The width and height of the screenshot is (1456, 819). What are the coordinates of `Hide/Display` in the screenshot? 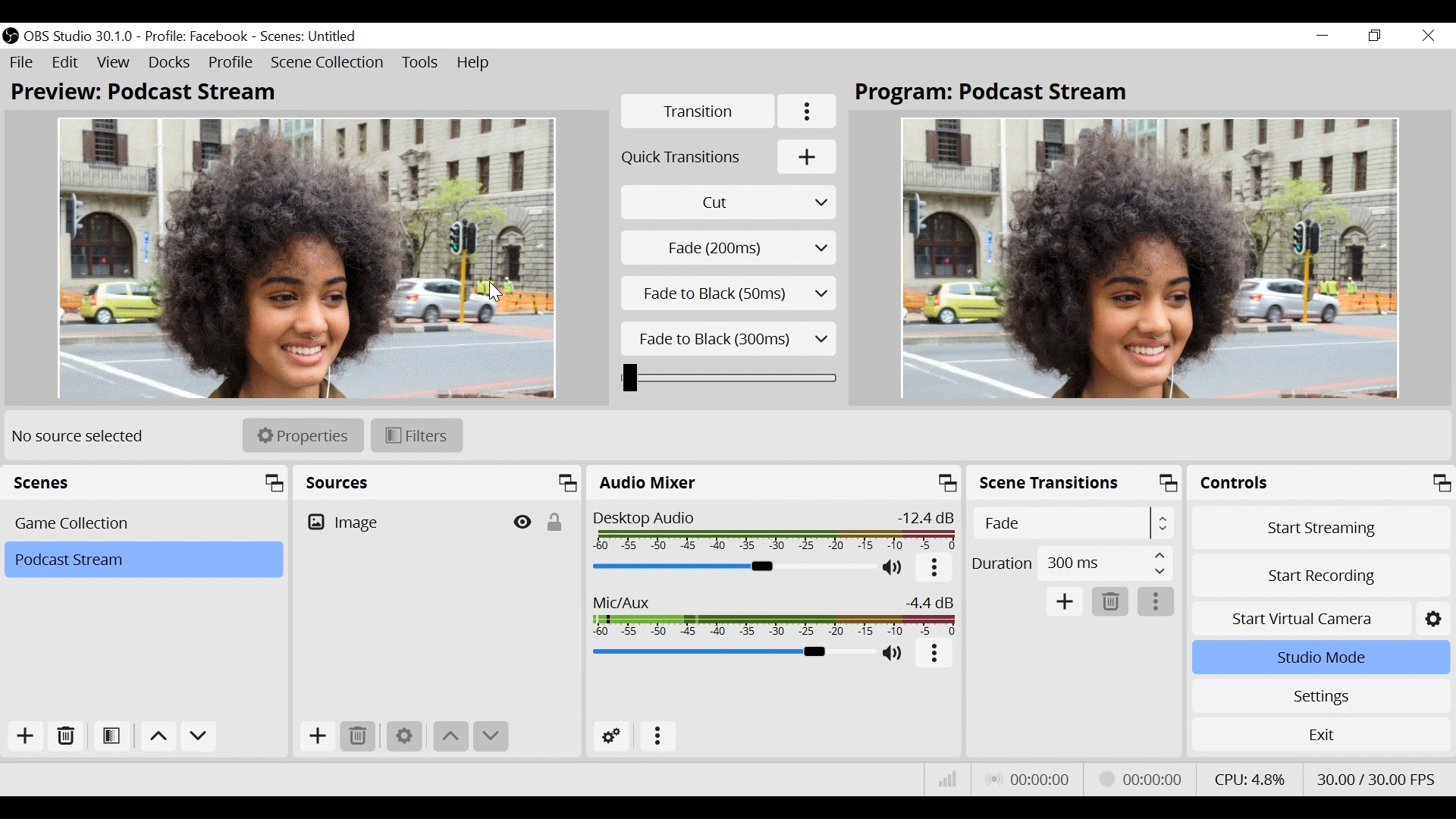 It's located at (524, 526).